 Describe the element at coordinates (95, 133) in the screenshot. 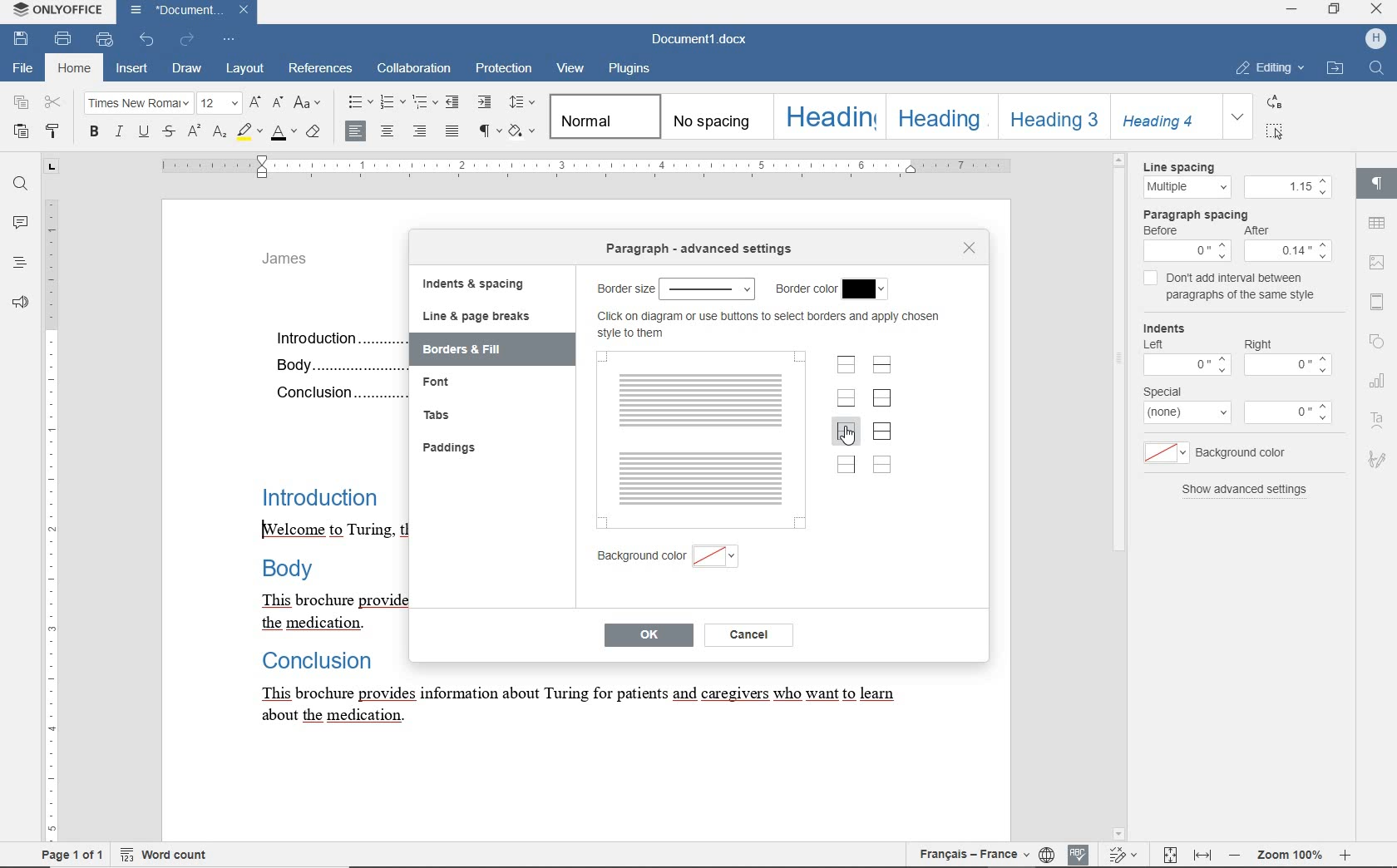

I see `bold` at that location.